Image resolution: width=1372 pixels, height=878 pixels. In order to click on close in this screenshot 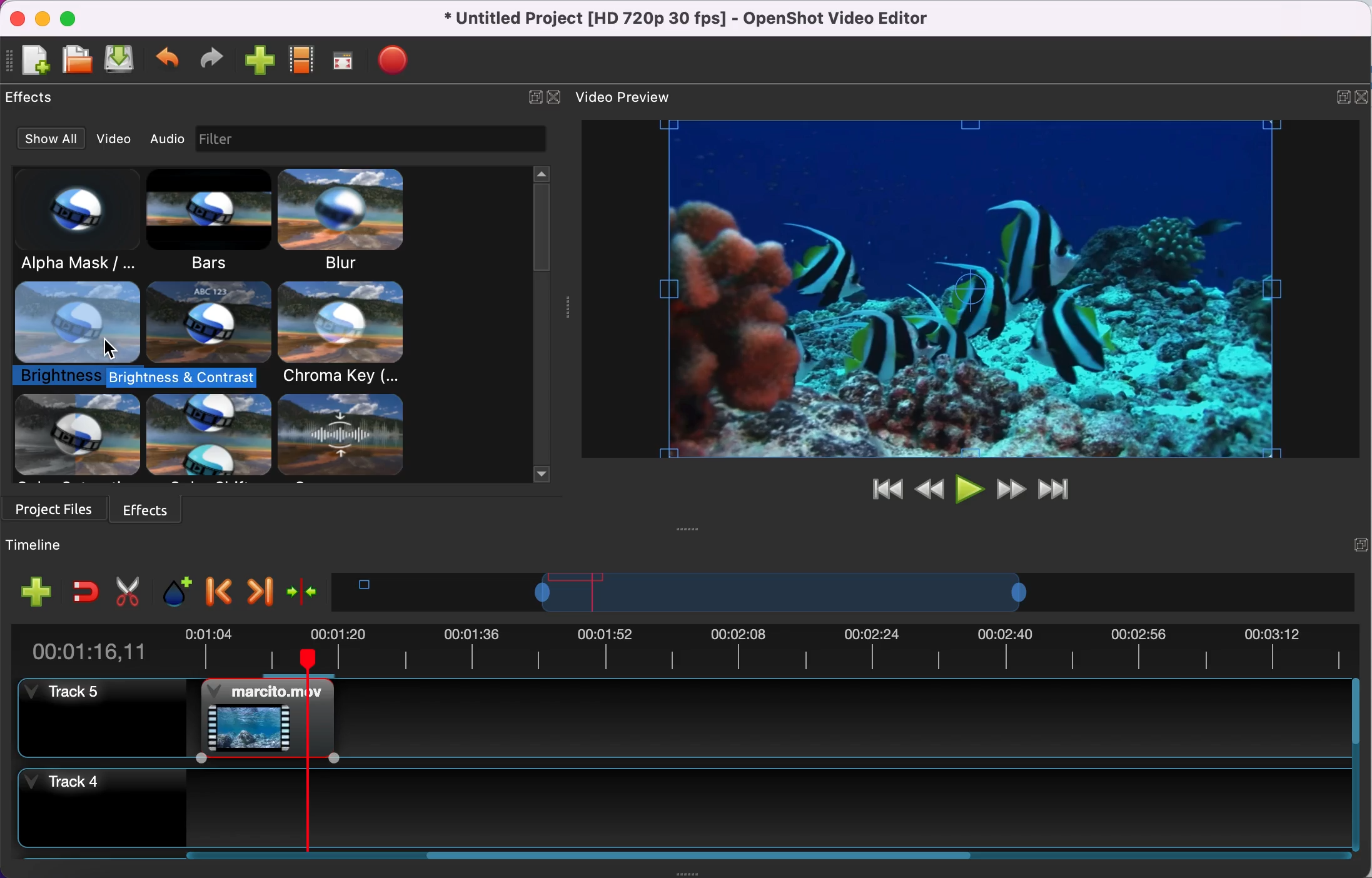, I will do `click(1363, 95)`.